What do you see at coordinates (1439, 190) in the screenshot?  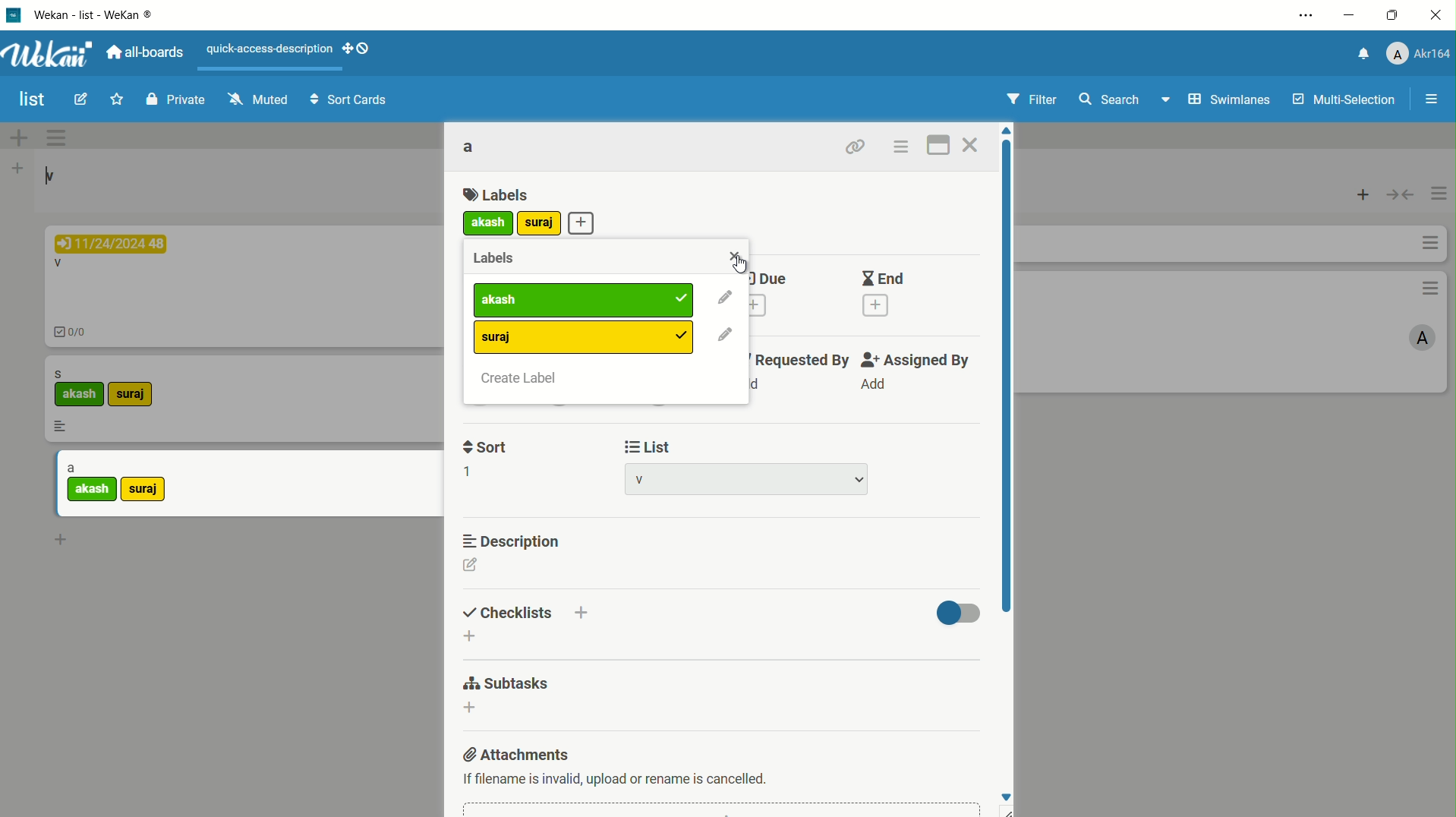 I see `options` at bounding box center [1439, 190].